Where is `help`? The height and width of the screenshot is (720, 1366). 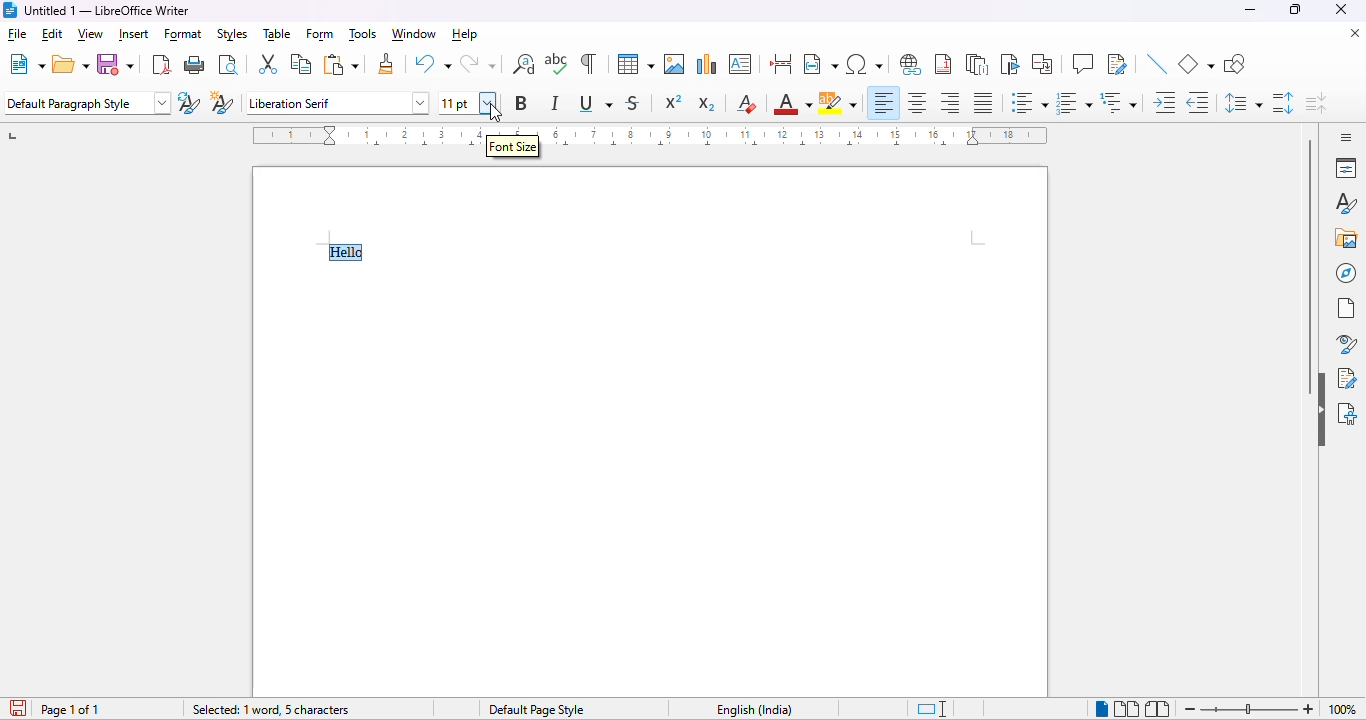
help is located at coordinates (464, 35).